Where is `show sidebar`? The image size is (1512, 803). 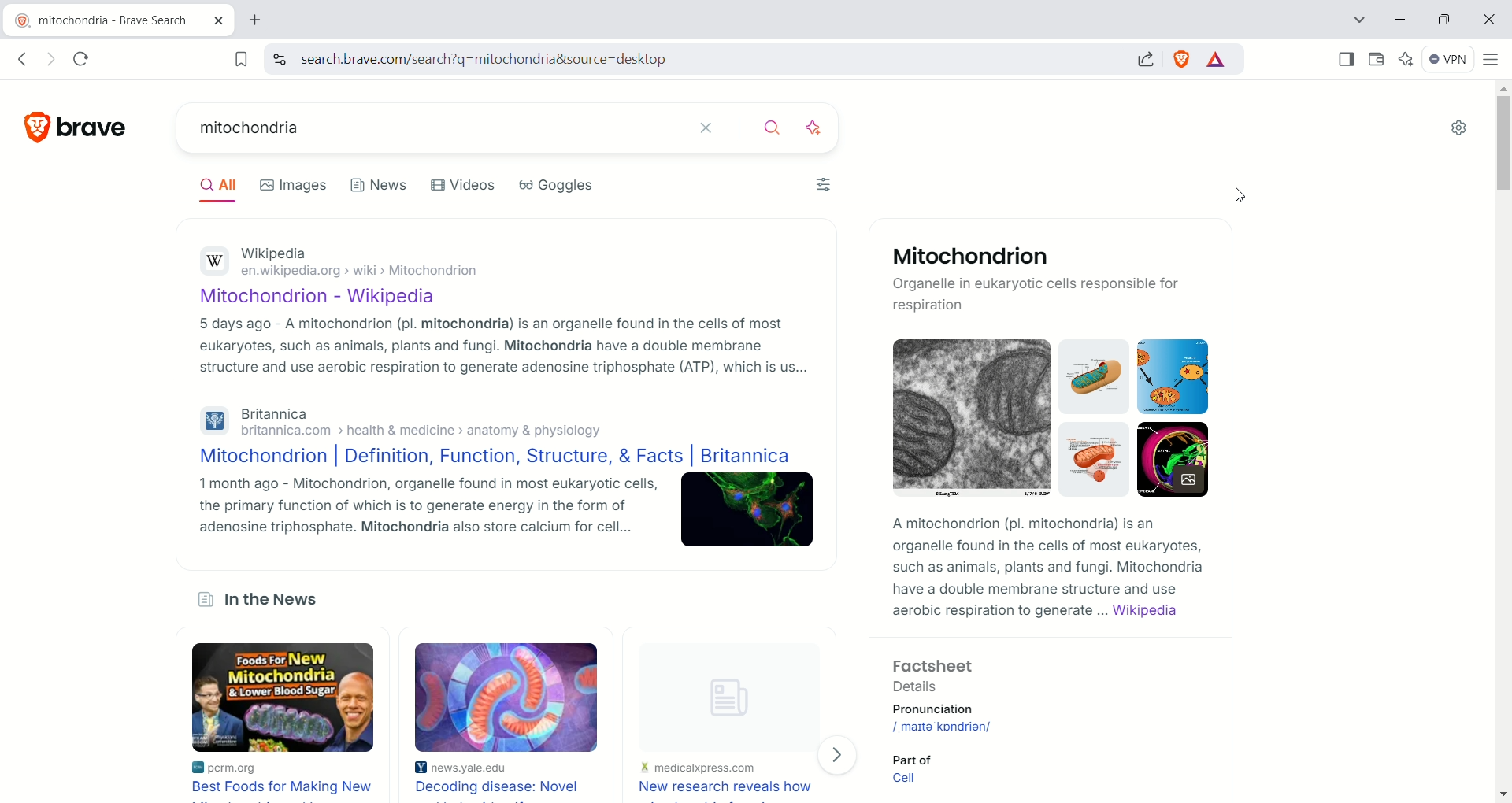 show sidebar is located at coordinates (1338, 60).